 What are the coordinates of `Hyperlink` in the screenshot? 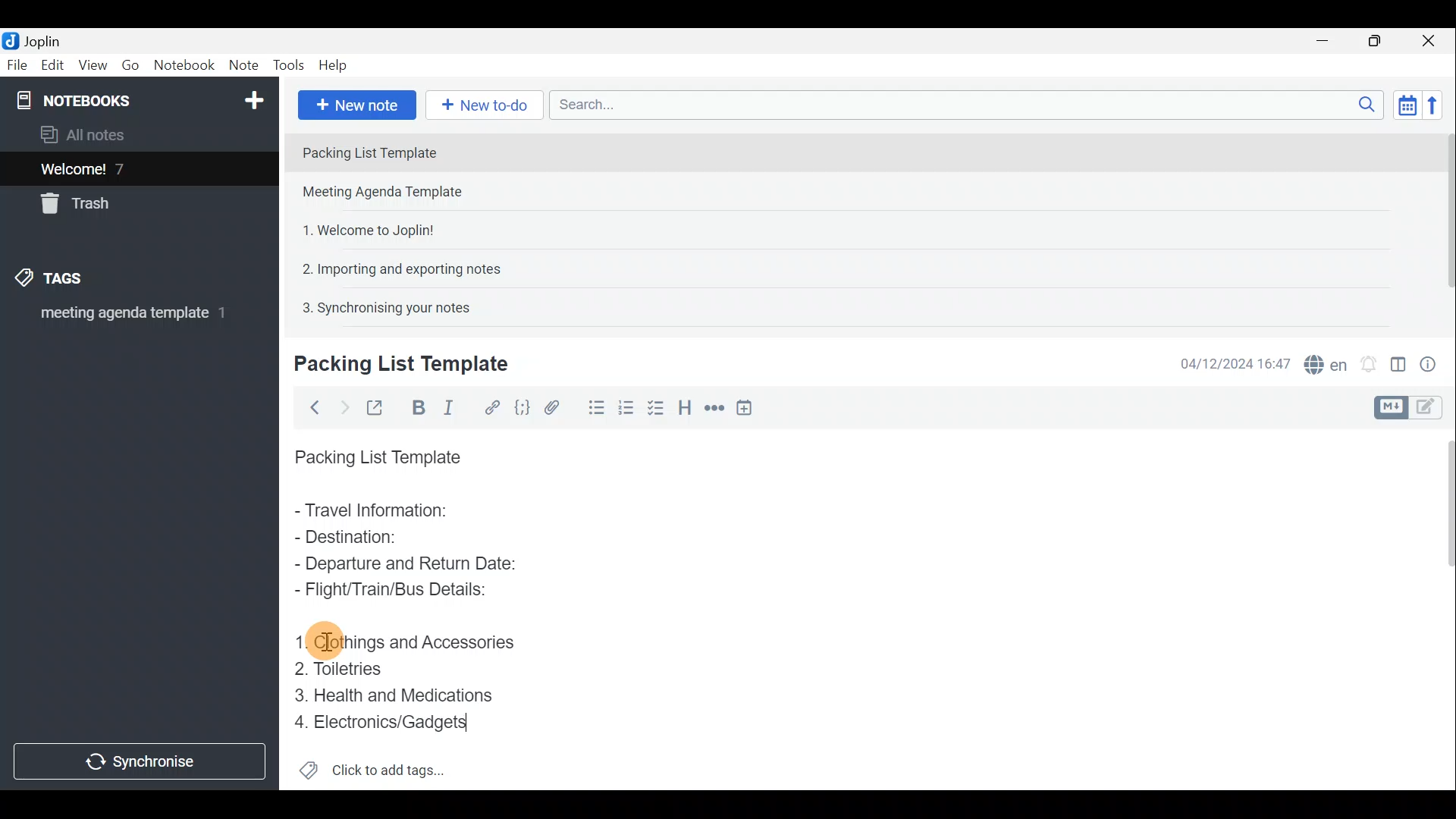 It's located at (489, 406).